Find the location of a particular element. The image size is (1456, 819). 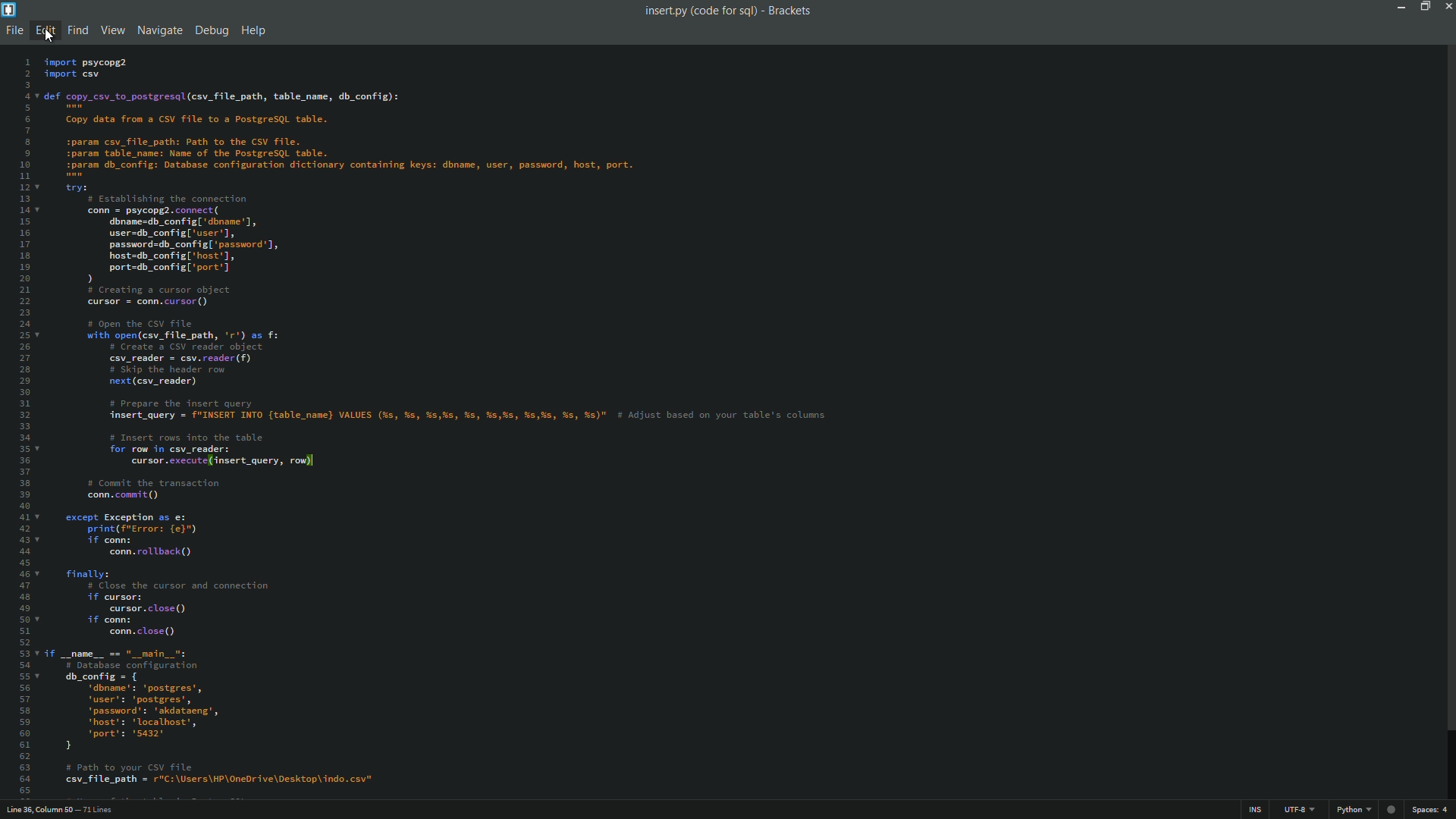

space is located at coordinates (1432, 811).